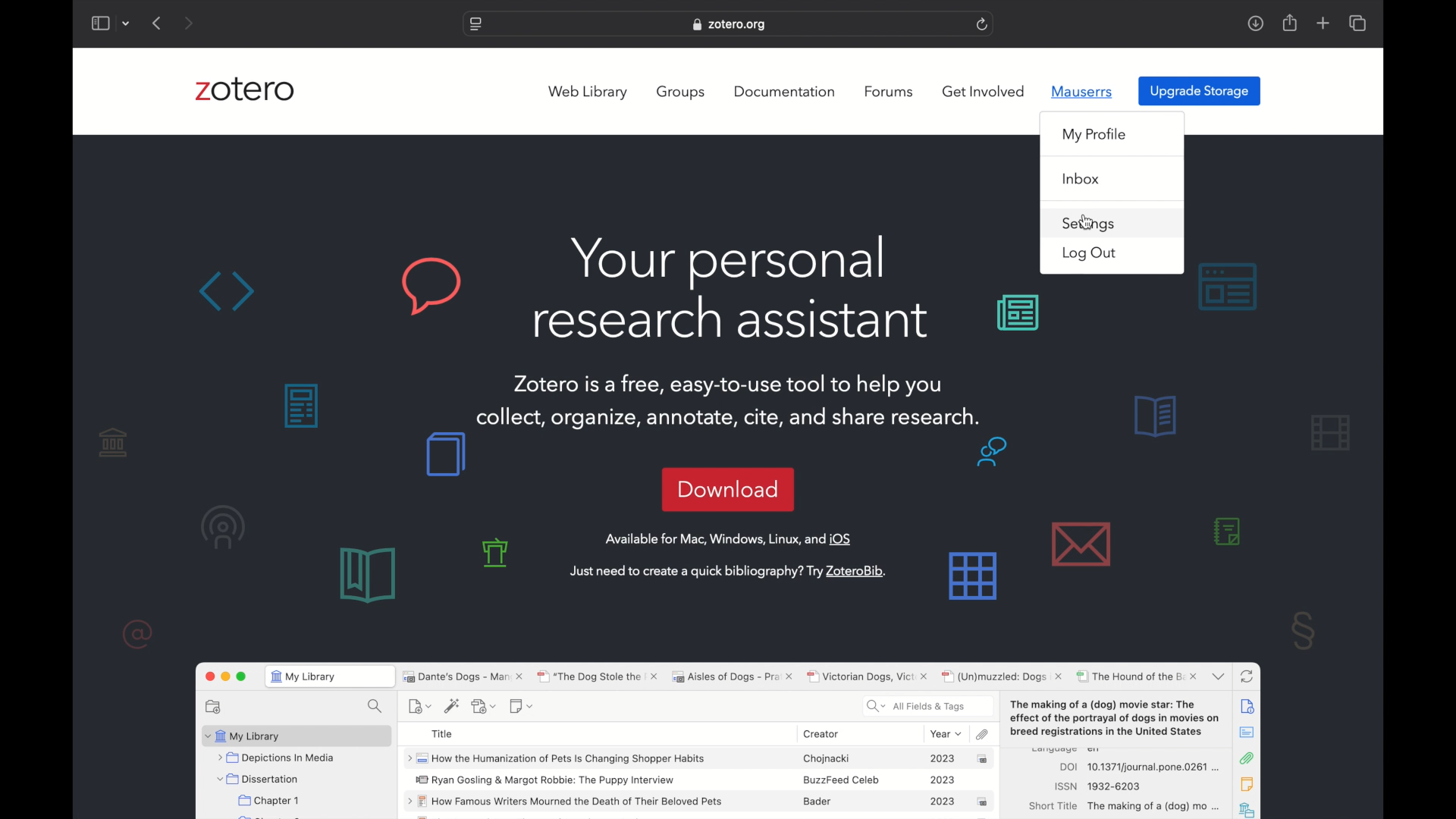 The height and width of the screenshot is (819, 1456). Describe the element at coordinates (1092, 255) in the screenshot. I see `log out` at that location.